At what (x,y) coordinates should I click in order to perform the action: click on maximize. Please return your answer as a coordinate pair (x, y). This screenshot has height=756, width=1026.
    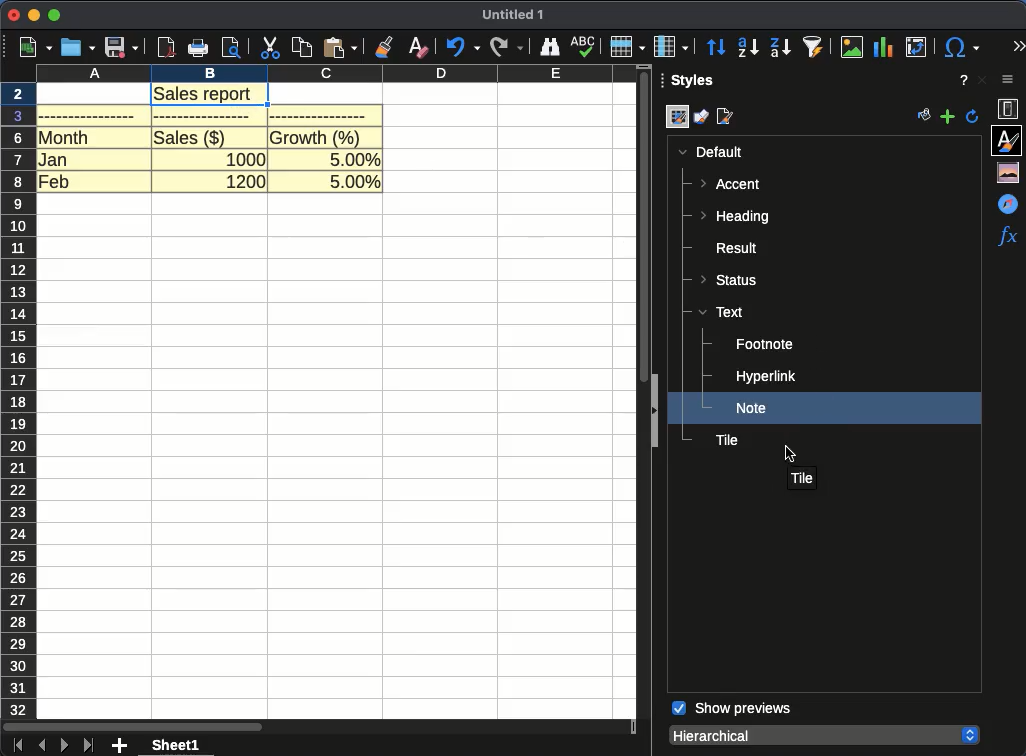
    Looking at the image, I should click on (56, 16).